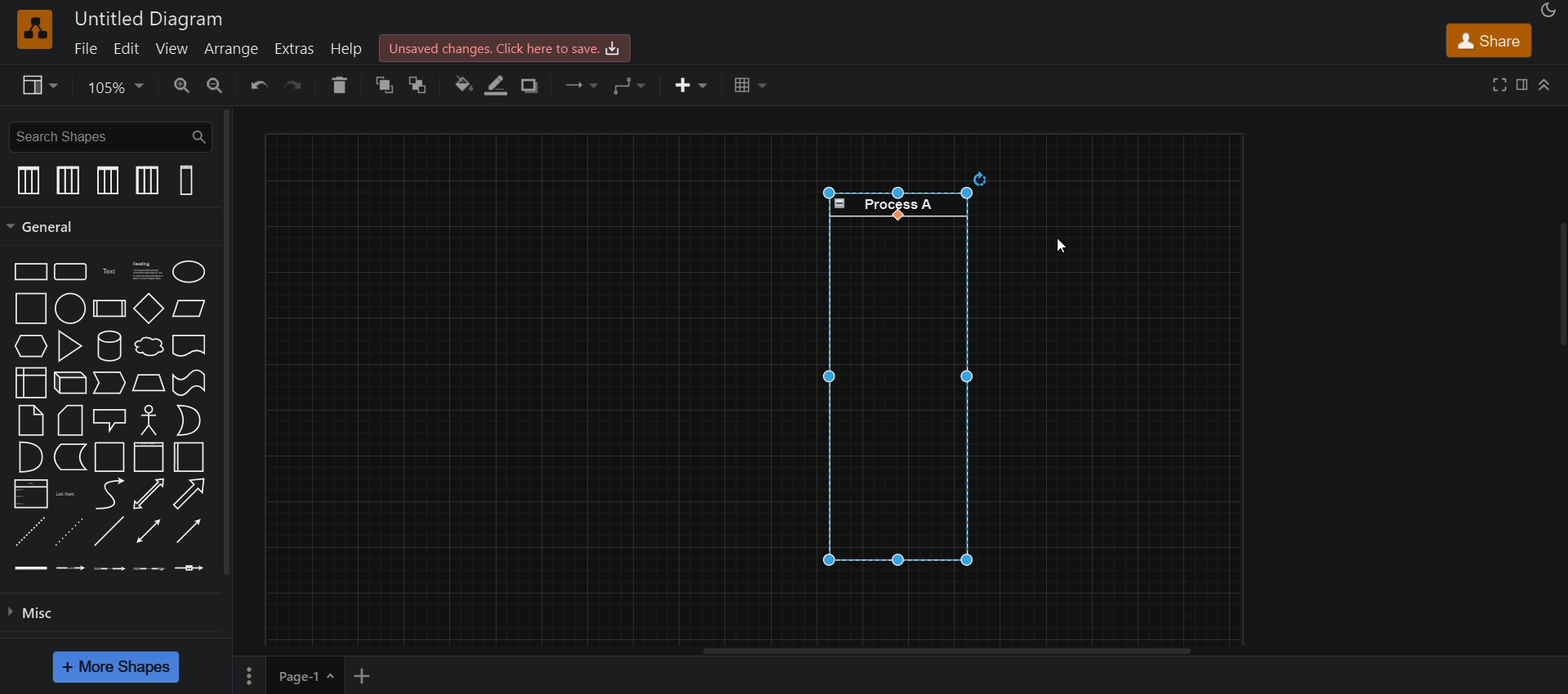 Image resolution: width=1568 pixels, height=694 pixels. Describe the element at coordinates (67, 385) in the screenshot. I see `cube` at that location.